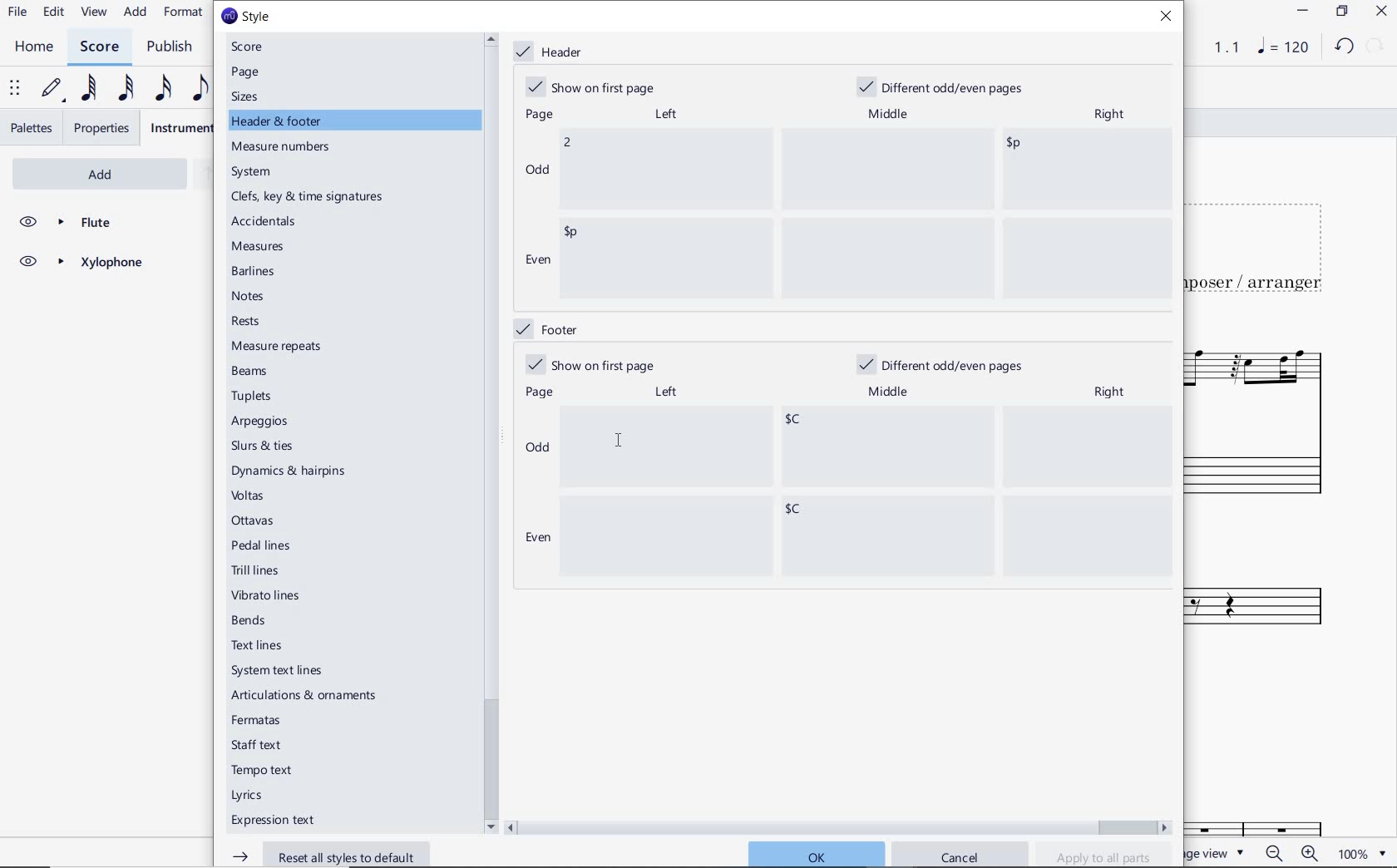 This screenshot has height=868, width=1397. What do you see at coordinates (1290, 852) in the screenshot?
I see `zoom in or zoom out` at bounding box center [1290, 852].